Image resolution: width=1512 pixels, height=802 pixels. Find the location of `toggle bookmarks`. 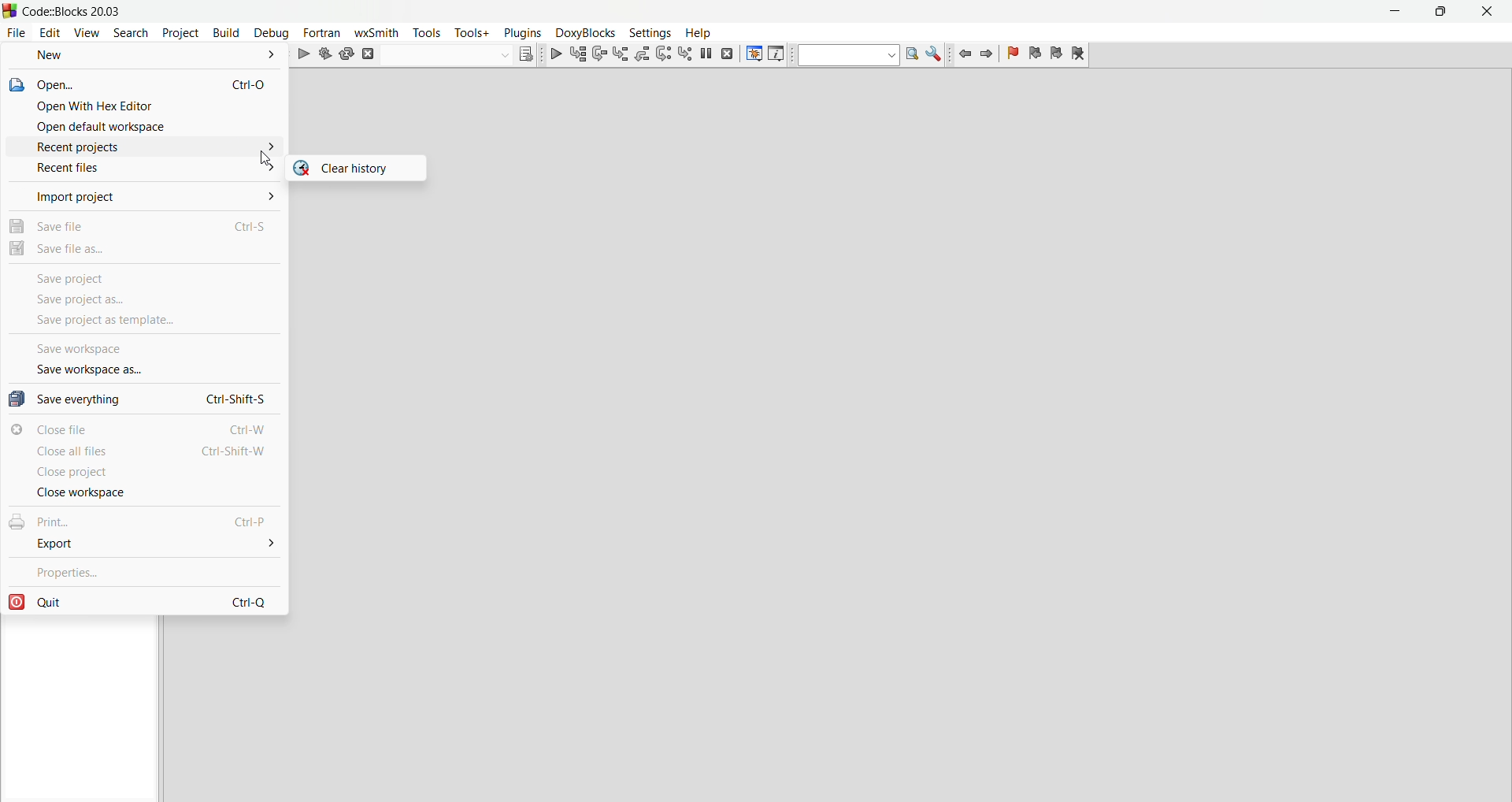

toggle bookmarks is located at coordinates (1012, 54).